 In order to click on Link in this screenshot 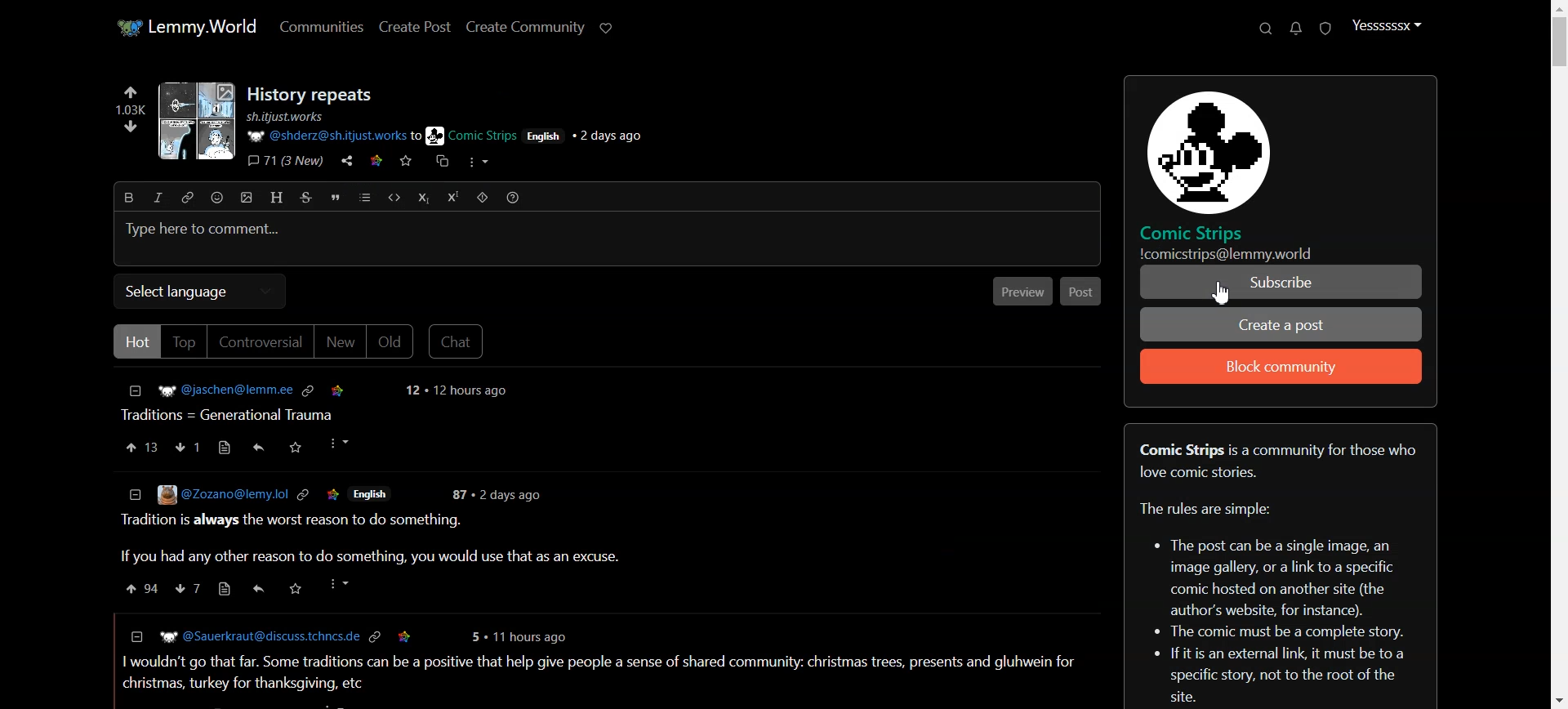, I will do `click(379, 162)`.